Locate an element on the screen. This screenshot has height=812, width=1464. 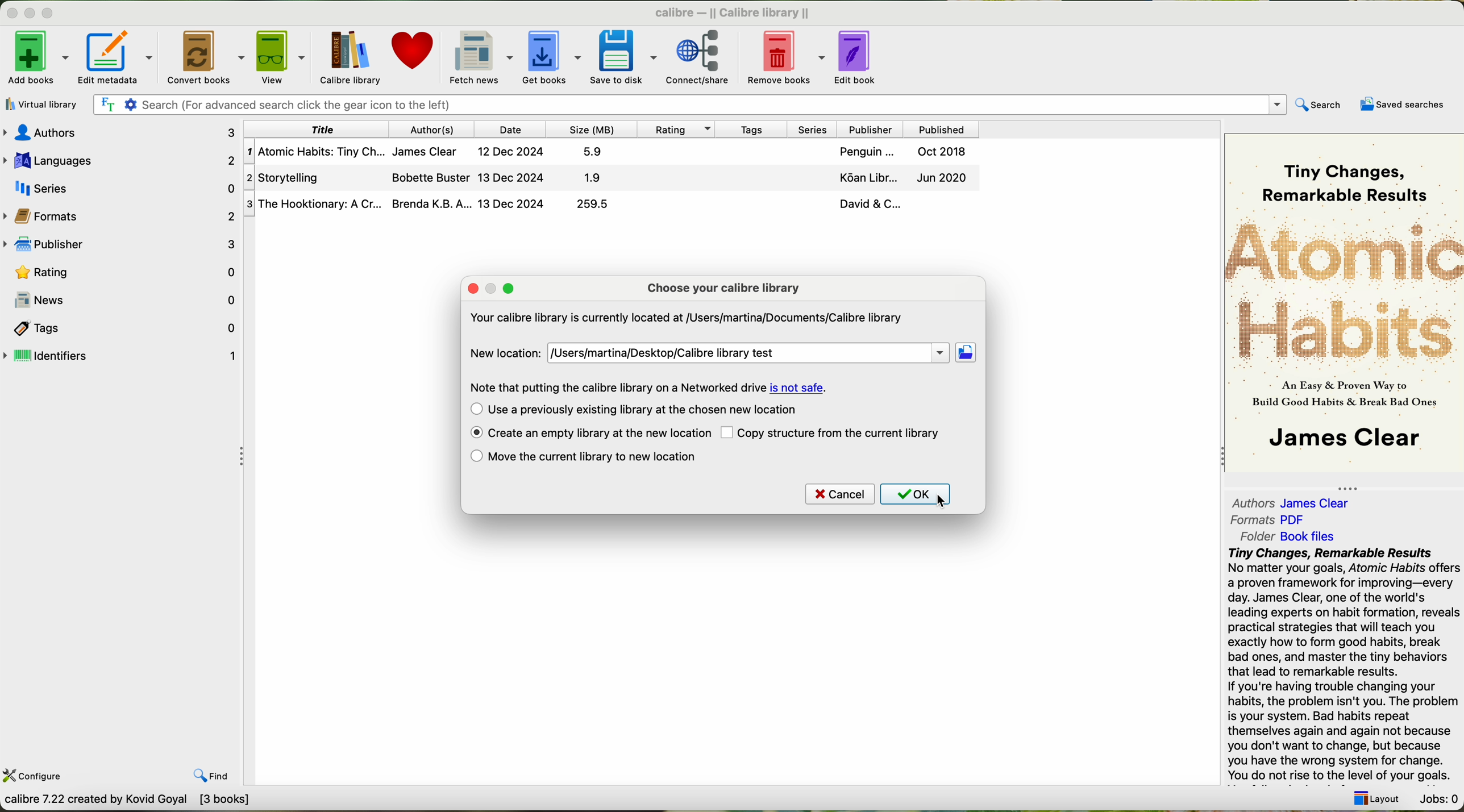
rating is located at coordinates (122, 271).